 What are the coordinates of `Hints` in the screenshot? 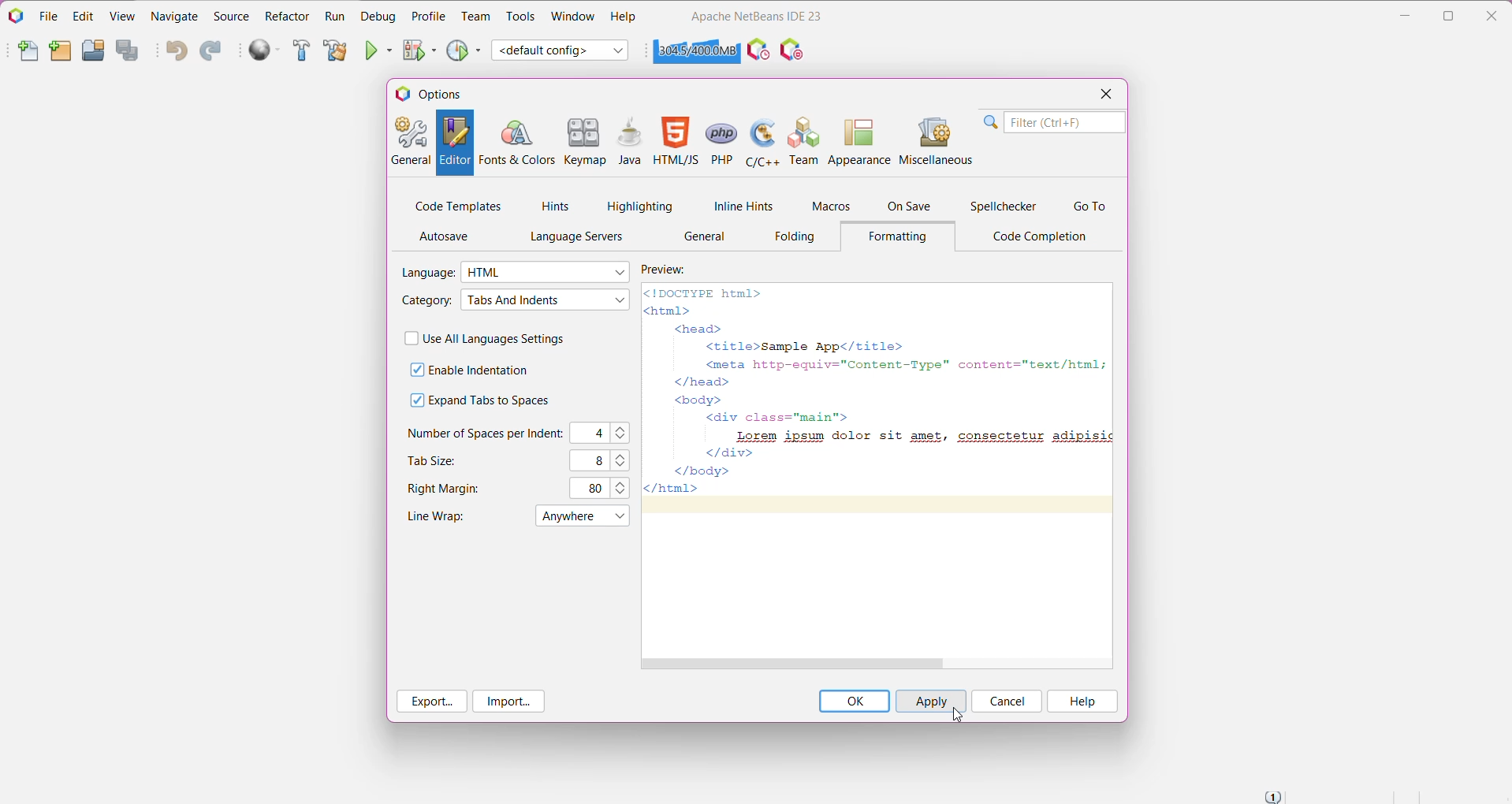 It's located at (556, 207).